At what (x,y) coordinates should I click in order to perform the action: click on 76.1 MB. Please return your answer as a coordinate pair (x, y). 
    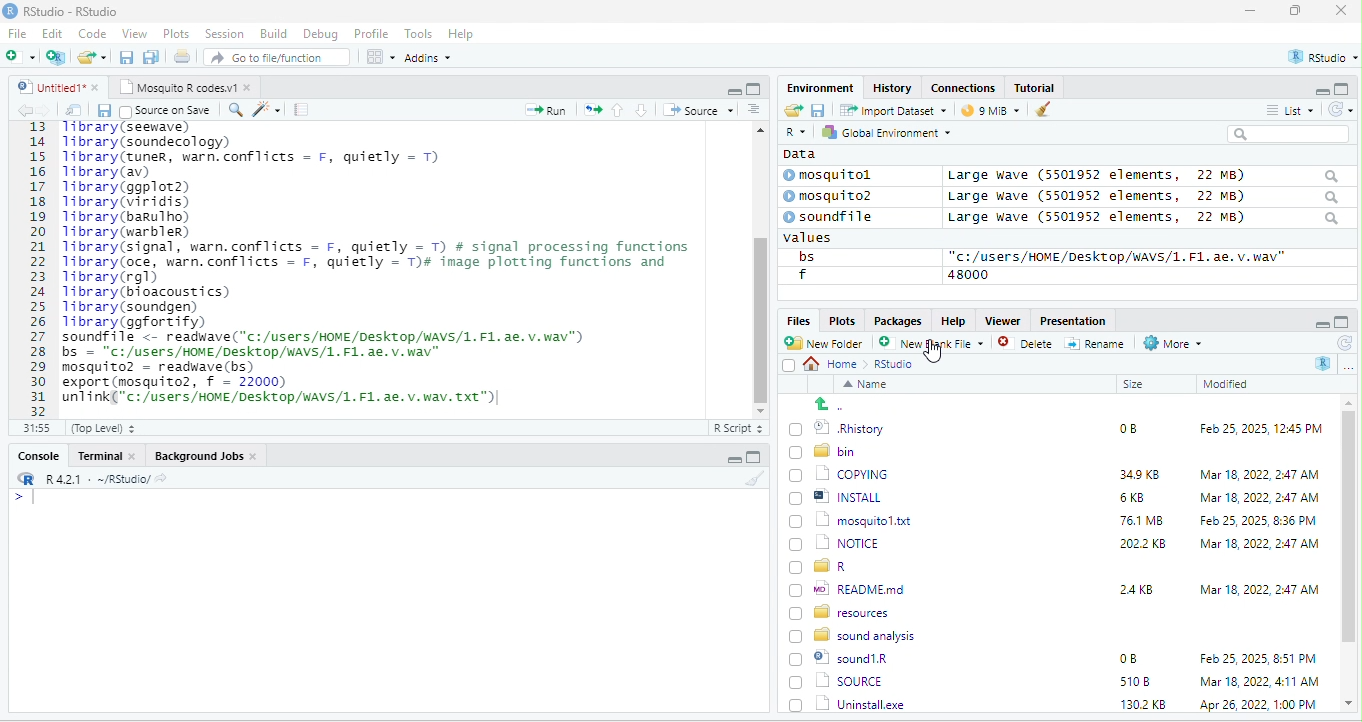
    Looking at the image, I should click on (1141, 519).